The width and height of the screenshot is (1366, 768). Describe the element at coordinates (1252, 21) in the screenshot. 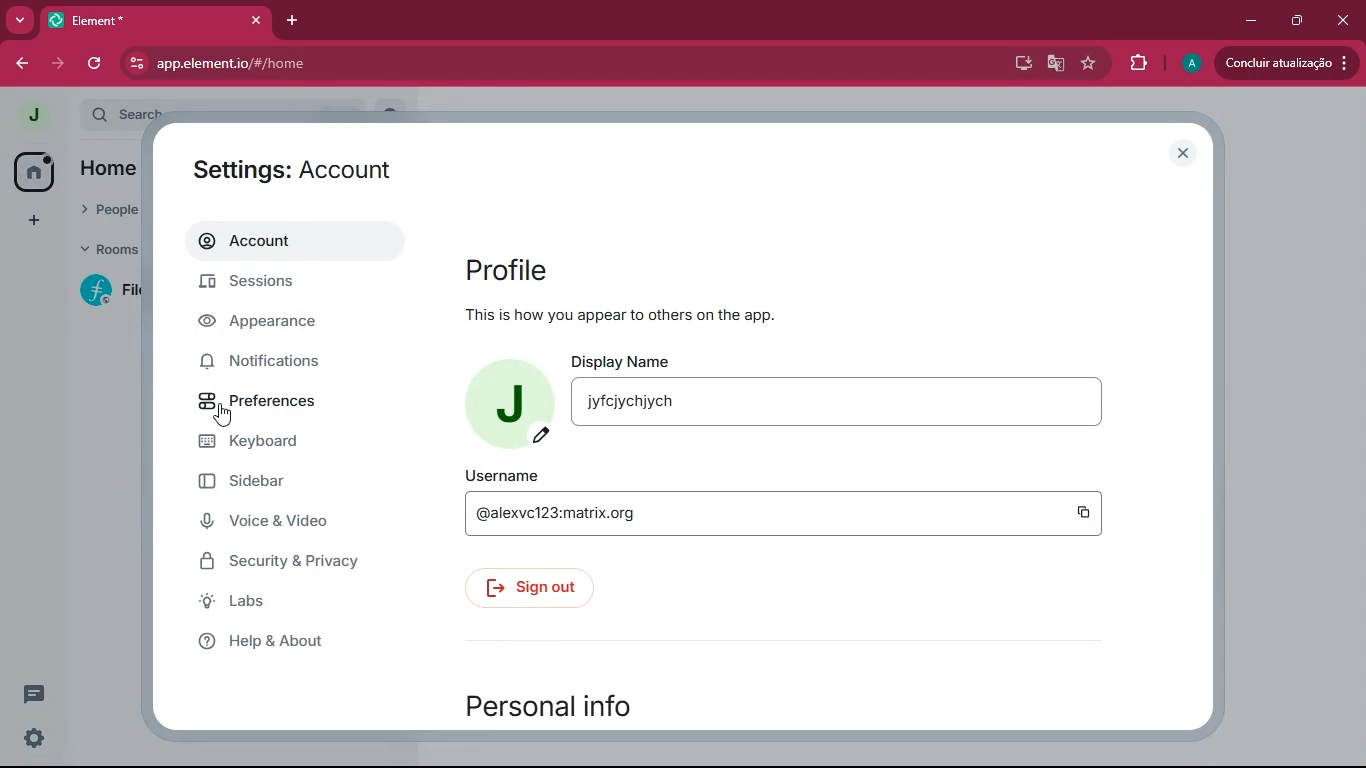

I see `minimize` at that location.